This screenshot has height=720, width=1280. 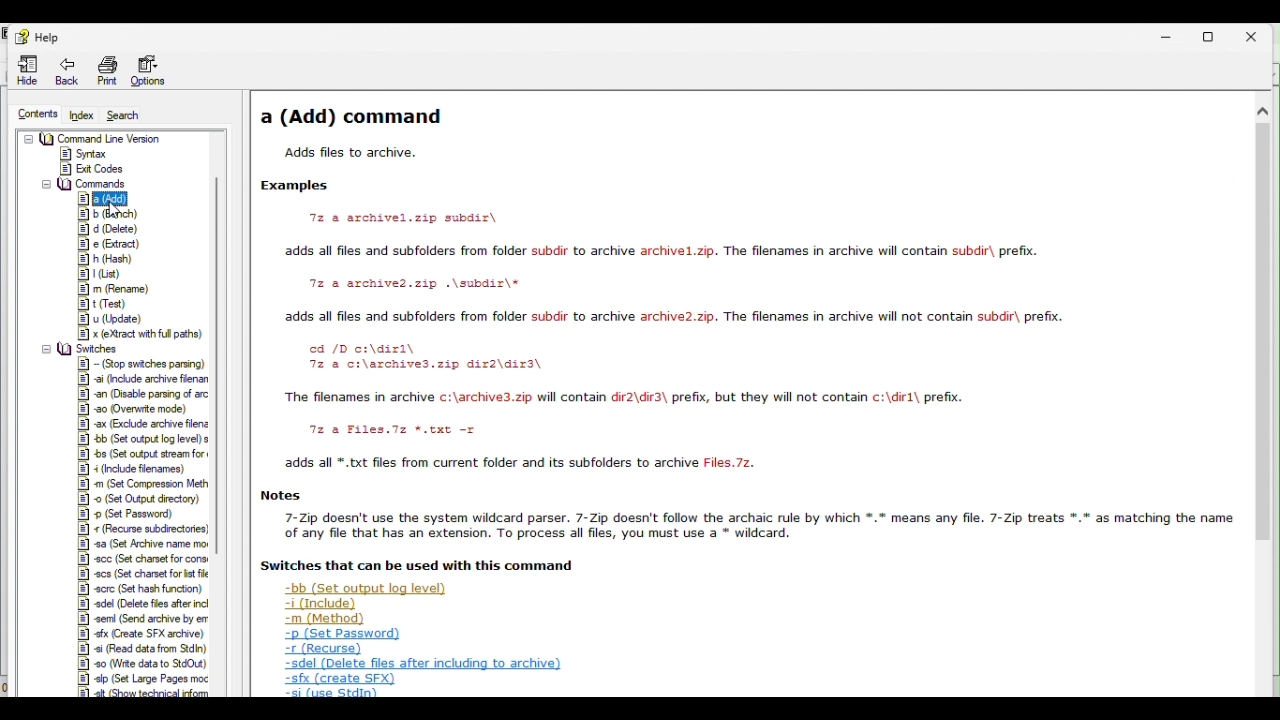 I want to click on -ao, so click(x=144, y=409).